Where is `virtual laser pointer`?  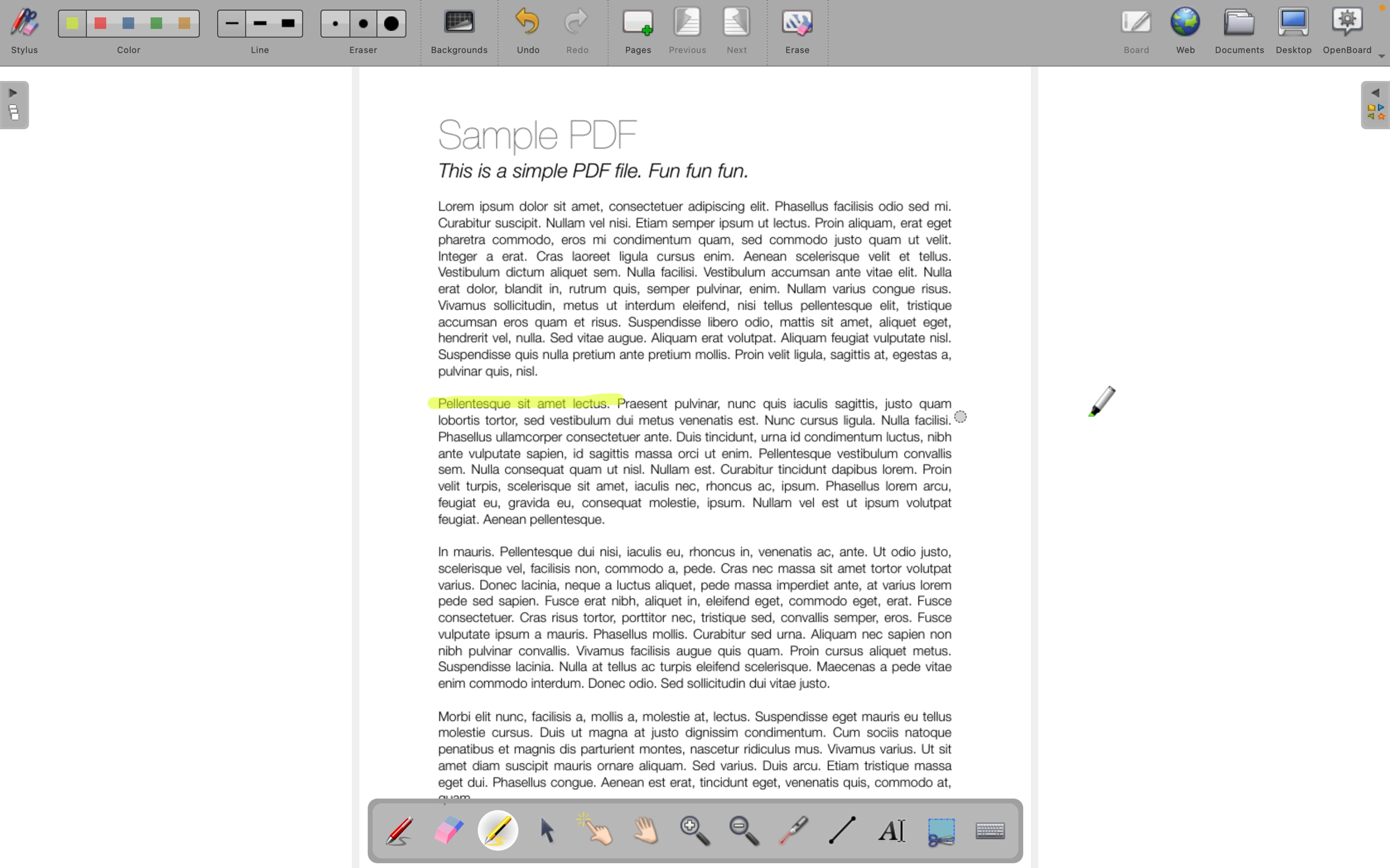
virtual laser pointer is located at coordinates (796, 829).